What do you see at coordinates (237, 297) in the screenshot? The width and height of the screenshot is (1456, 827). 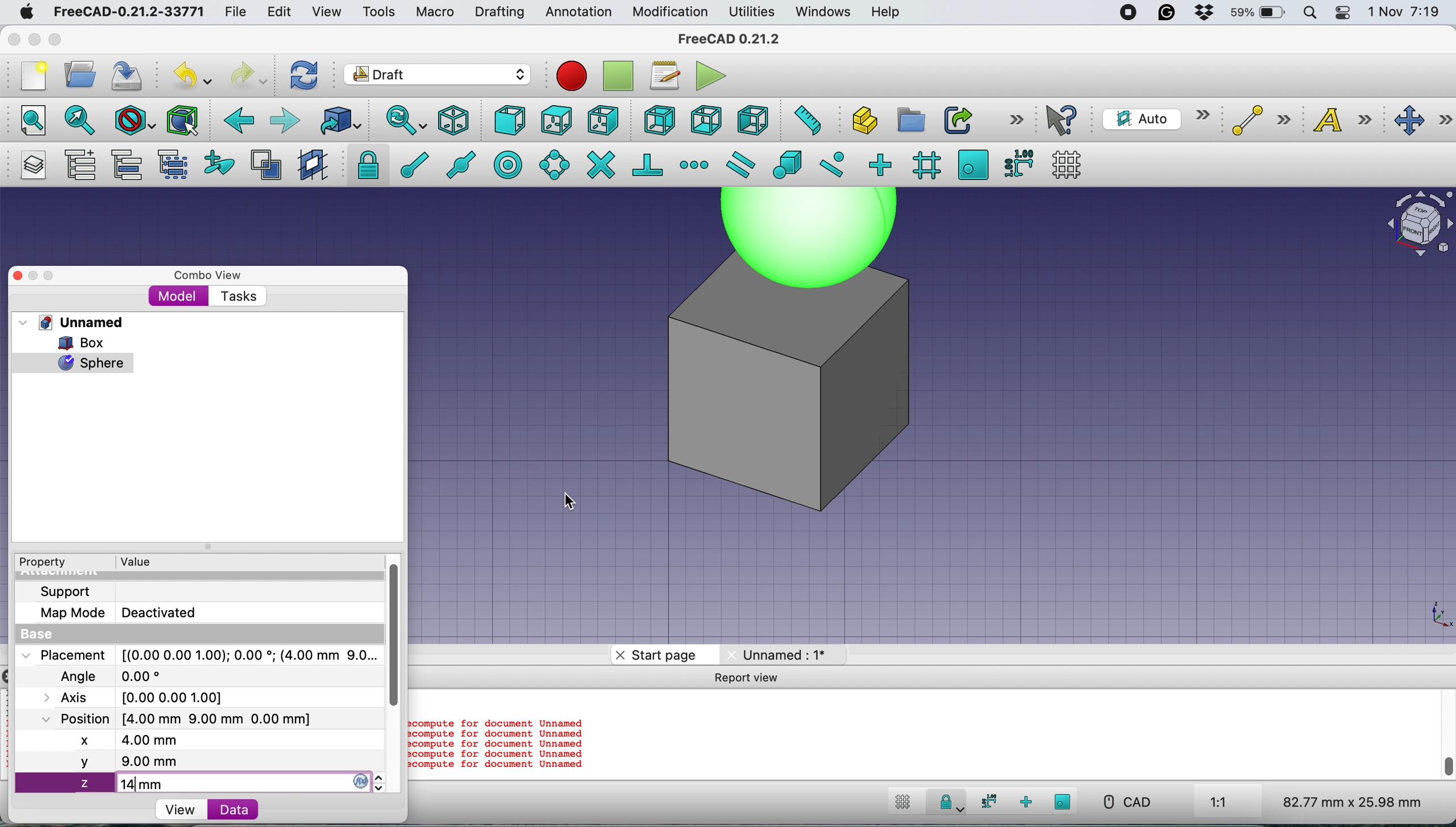 I see `tasks` at bounding box center [237, 297].